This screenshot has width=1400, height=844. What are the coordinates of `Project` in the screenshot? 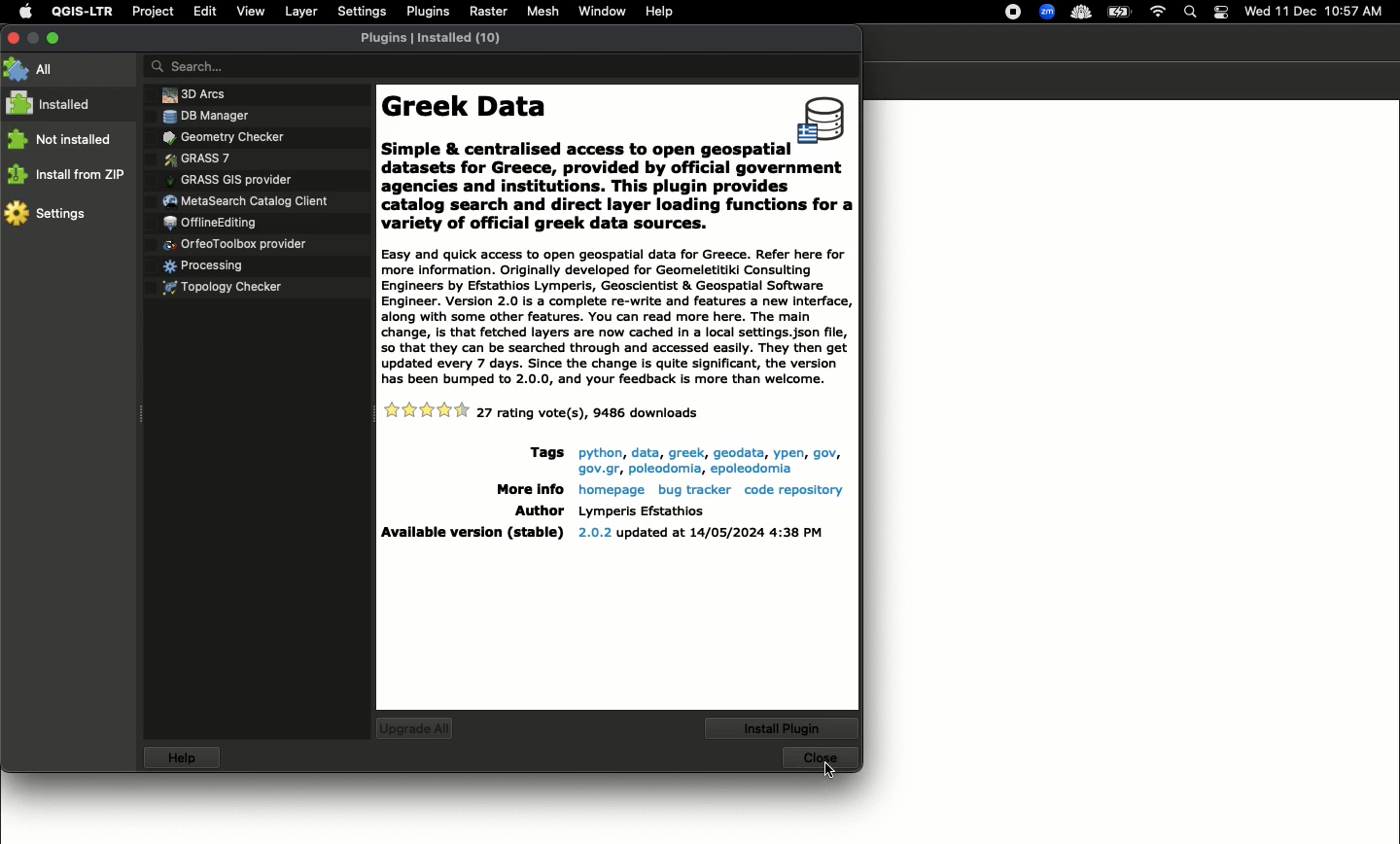 It's located at (153, 12).